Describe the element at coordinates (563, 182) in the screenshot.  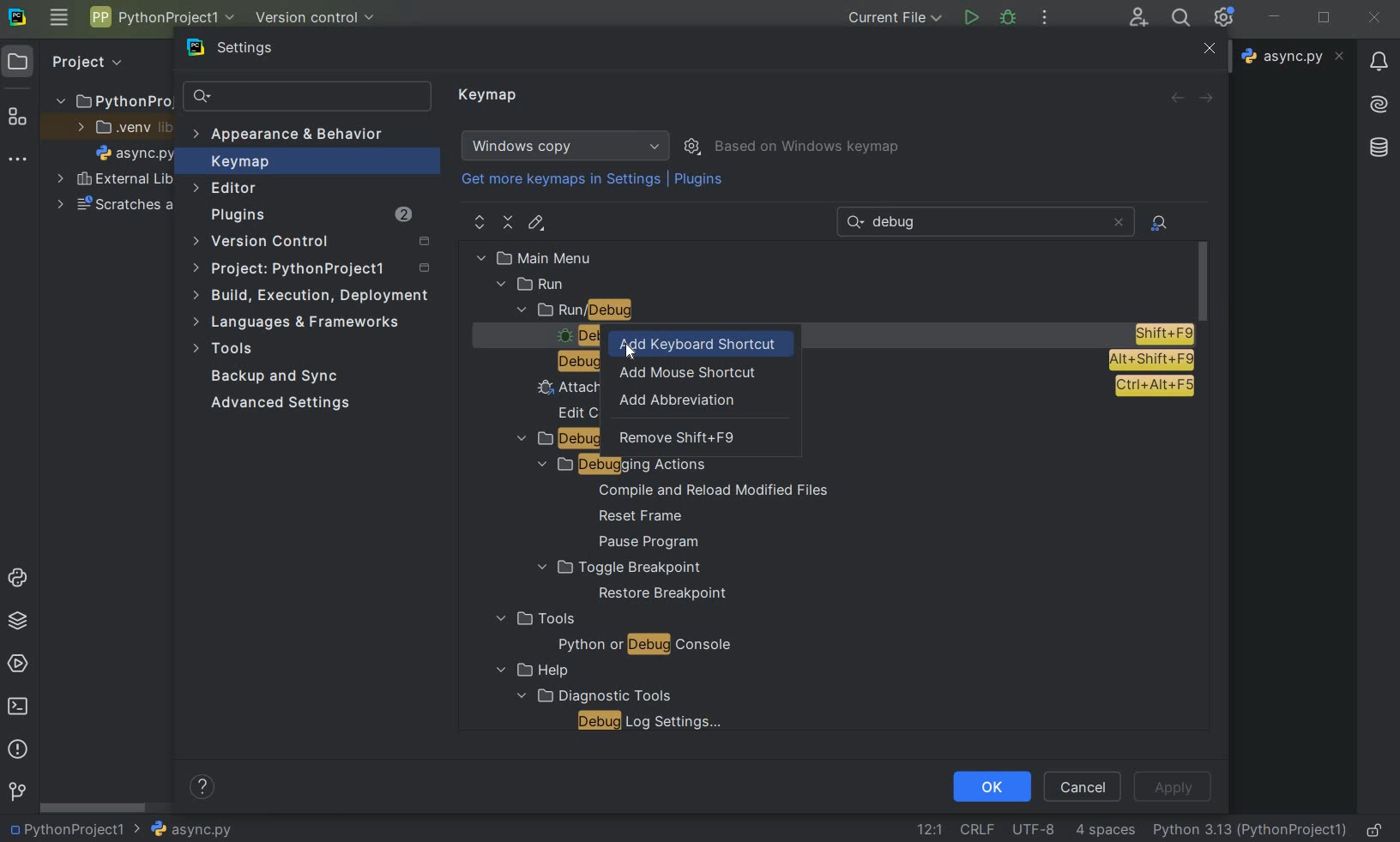
I see `get more keymaps in settings` at that location.